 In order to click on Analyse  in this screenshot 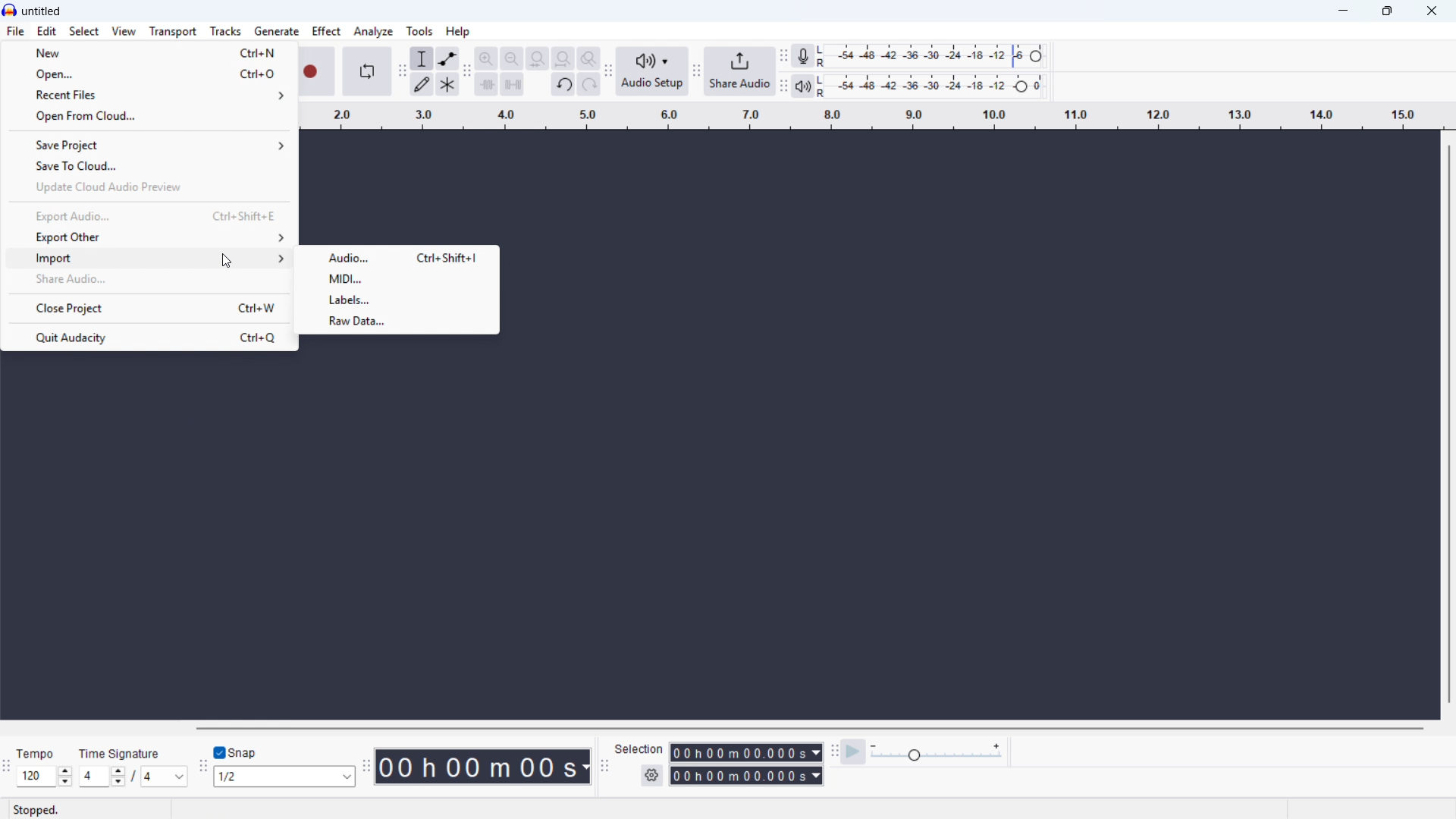, I will do `click(372, 31)`.